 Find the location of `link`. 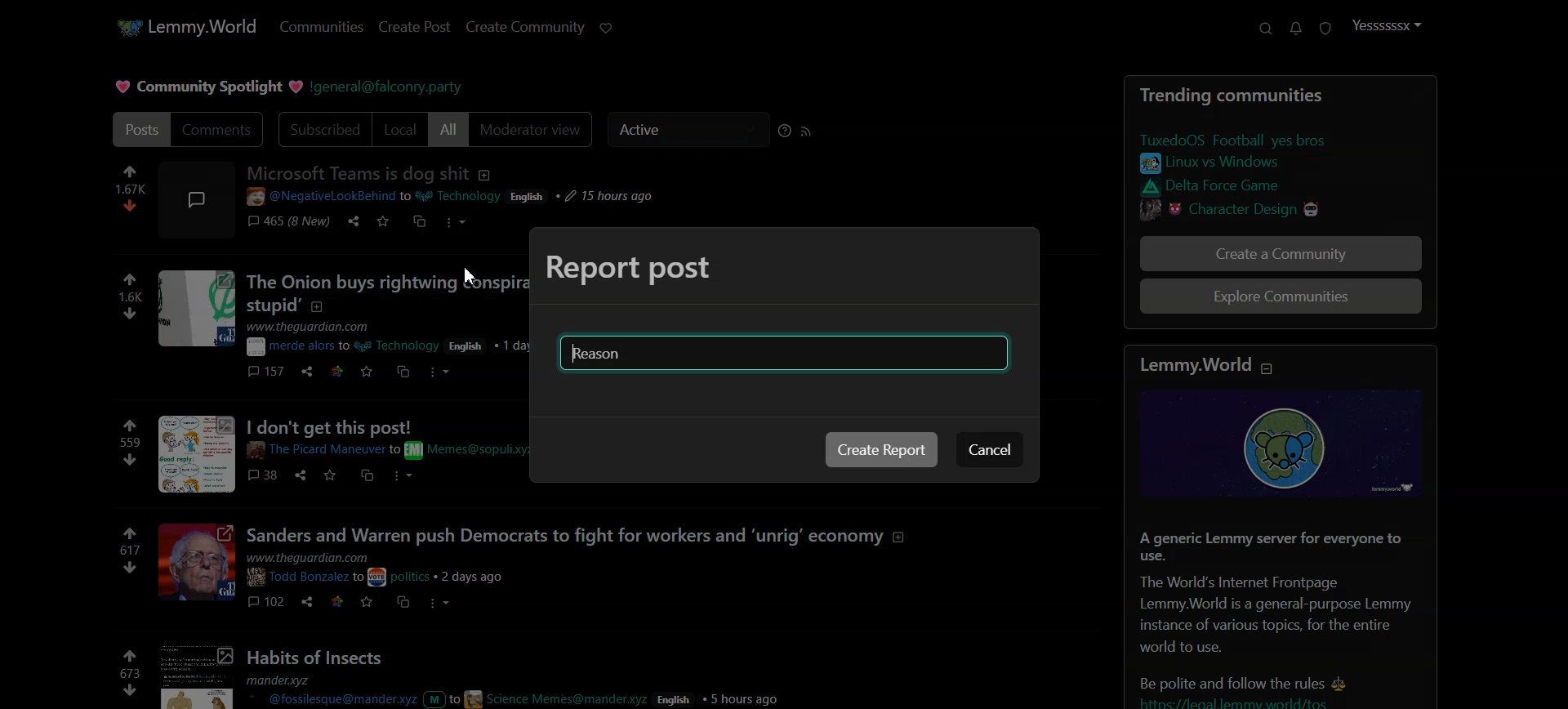

link is located at coordinates (1236, 163).